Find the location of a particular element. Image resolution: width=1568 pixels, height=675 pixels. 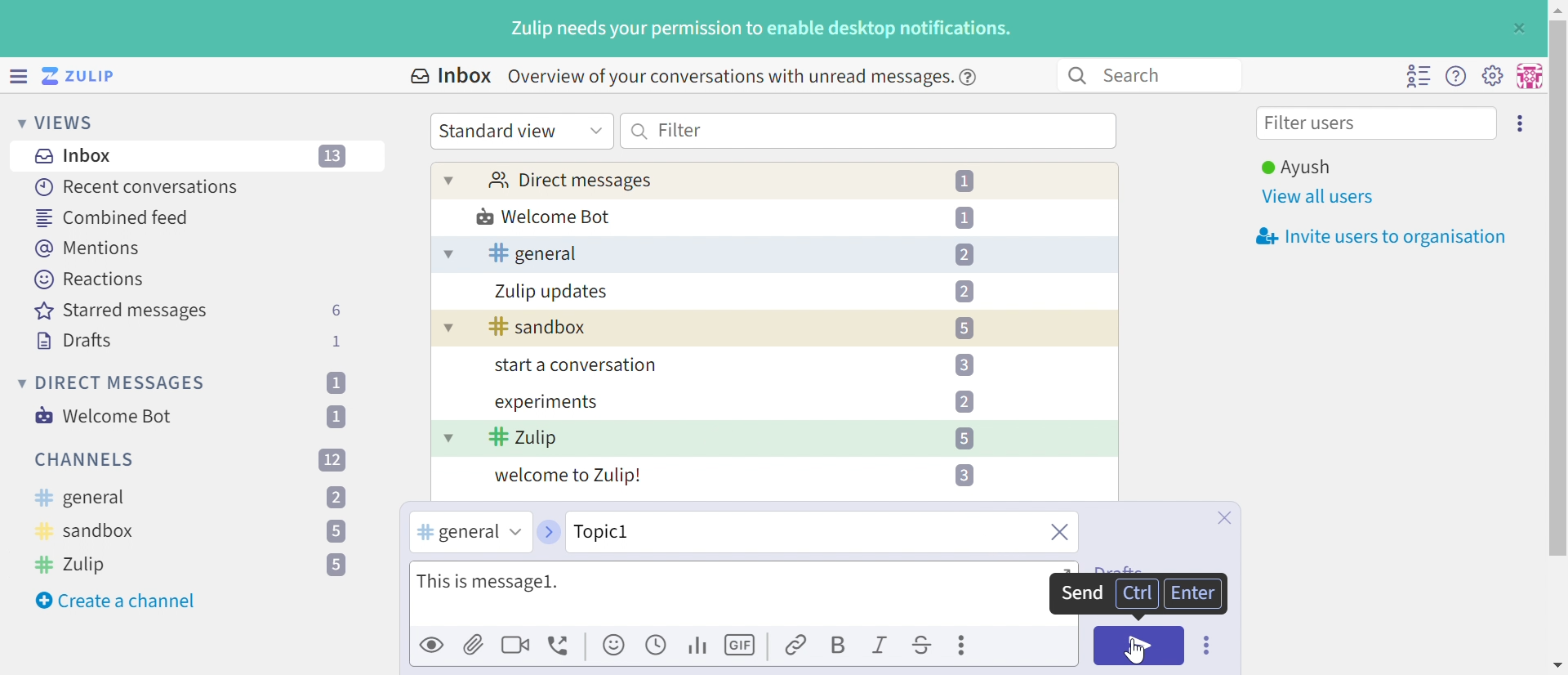

Personal menu is located at coordinates (1527, 76).